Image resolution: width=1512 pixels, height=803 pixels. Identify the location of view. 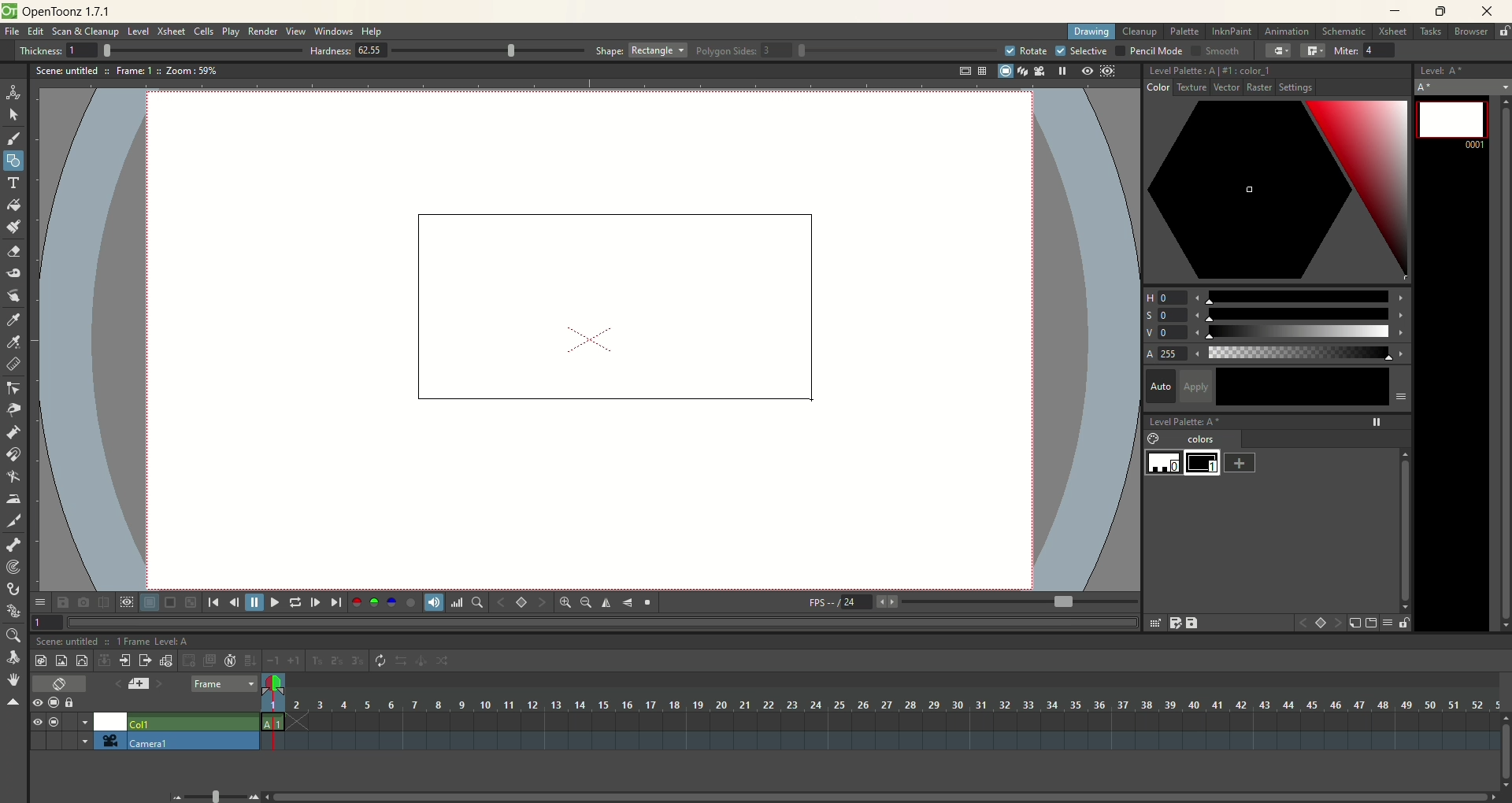
(34, 722).